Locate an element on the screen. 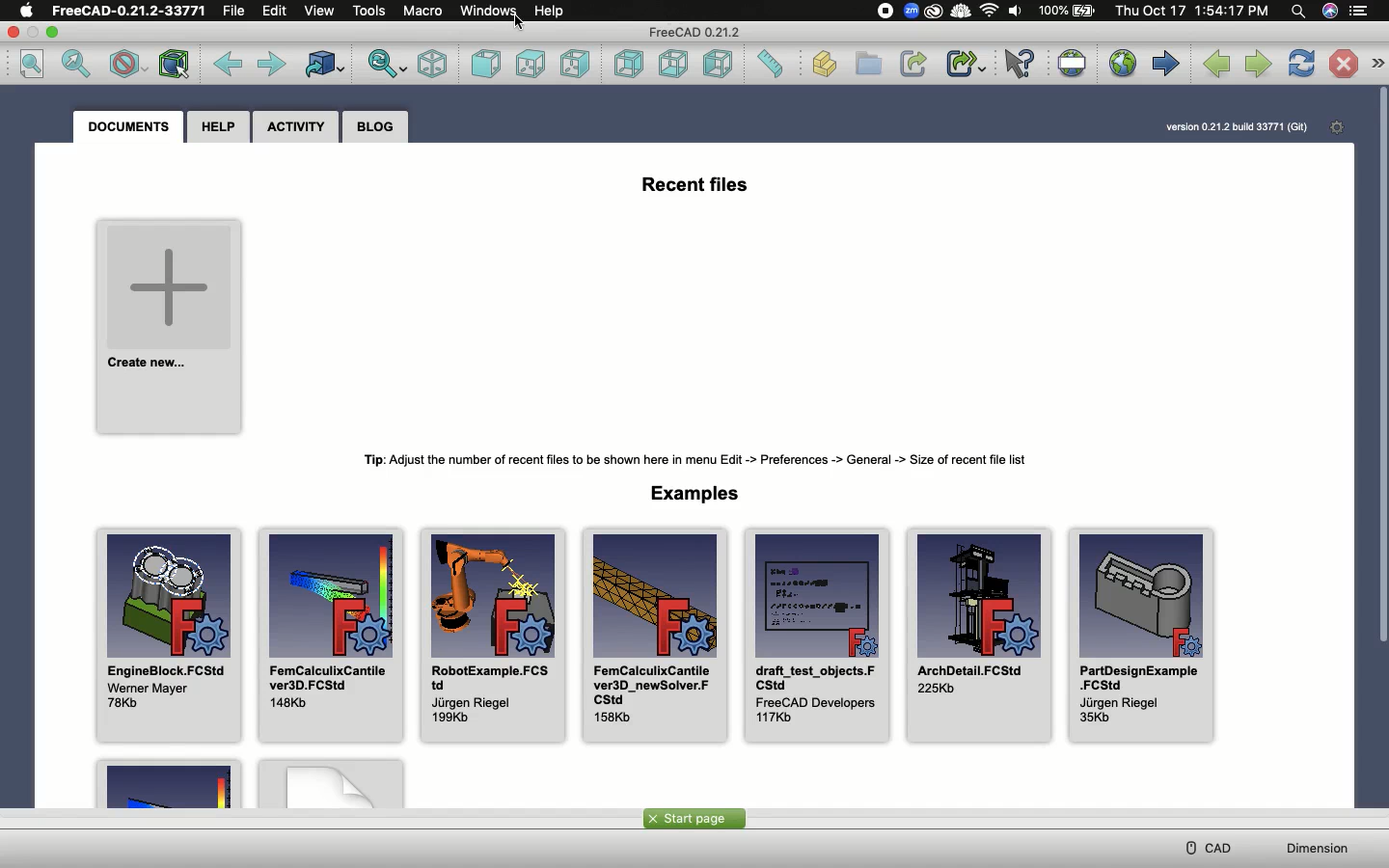  FemCalculixCantilever3.FCStd is located at coordinates (333, 635).